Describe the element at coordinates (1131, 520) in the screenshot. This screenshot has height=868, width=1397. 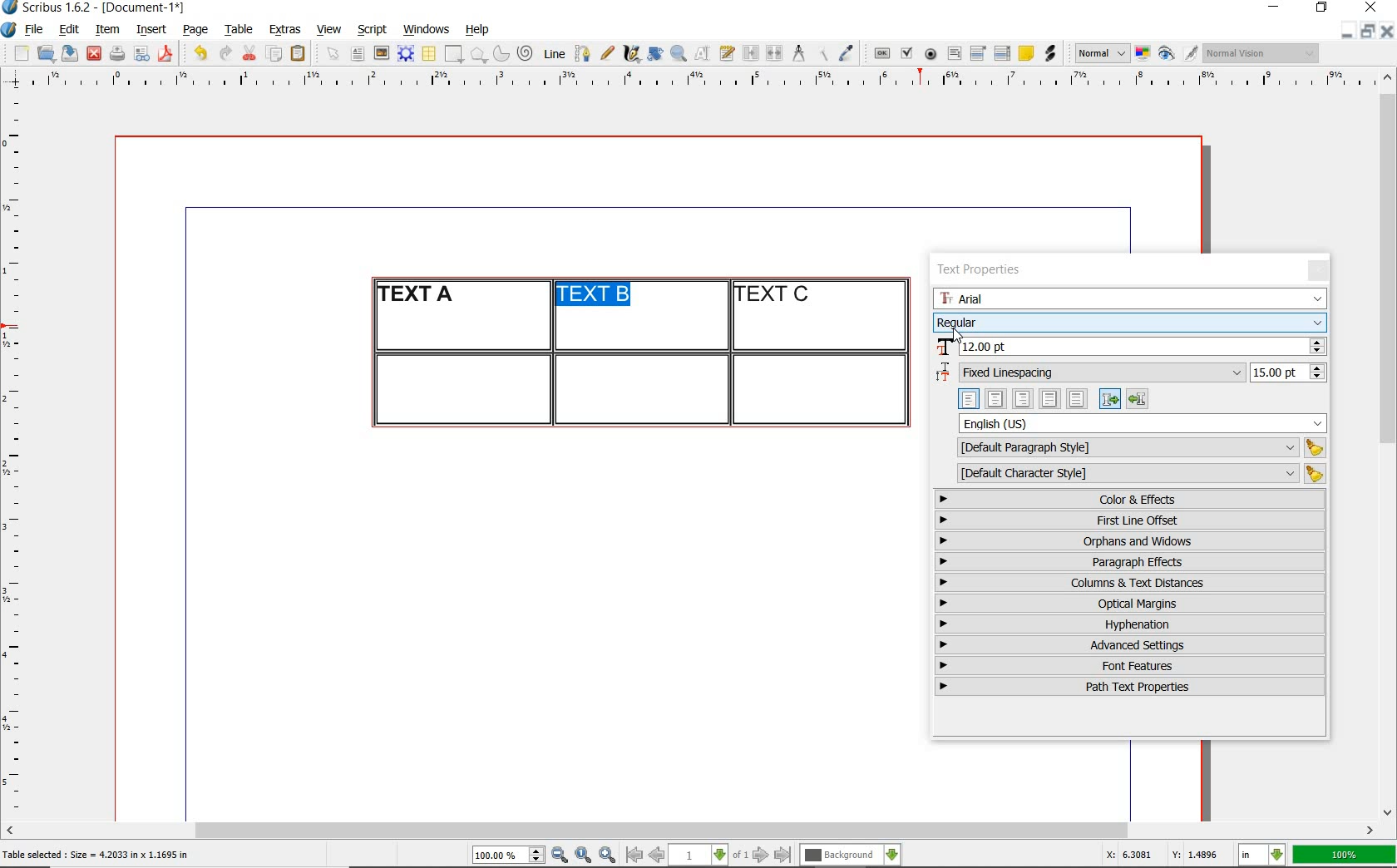
I see `first line offset` at that location.